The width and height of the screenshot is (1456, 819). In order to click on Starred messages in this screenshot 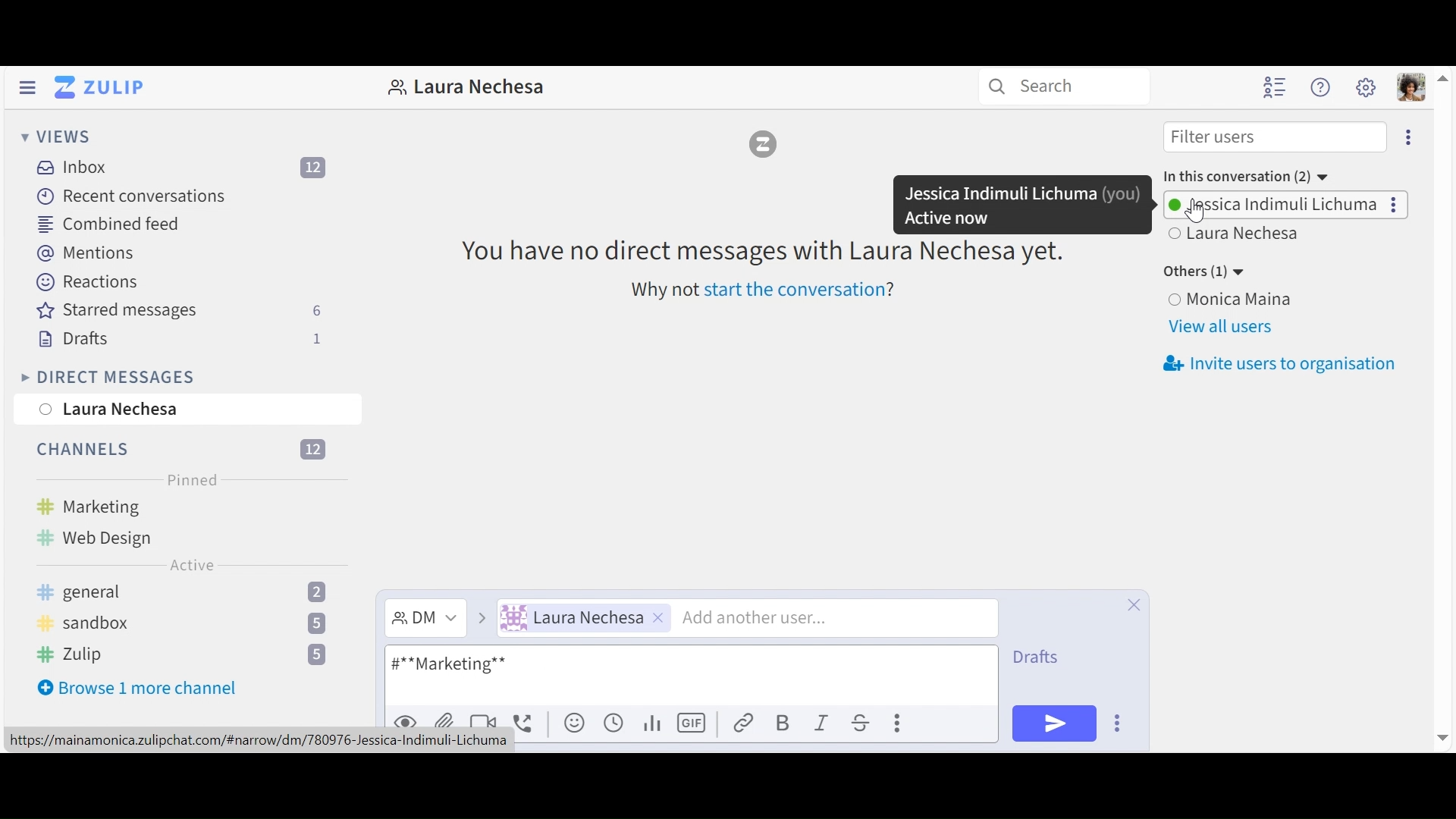, I will do `click(180, 311)`.